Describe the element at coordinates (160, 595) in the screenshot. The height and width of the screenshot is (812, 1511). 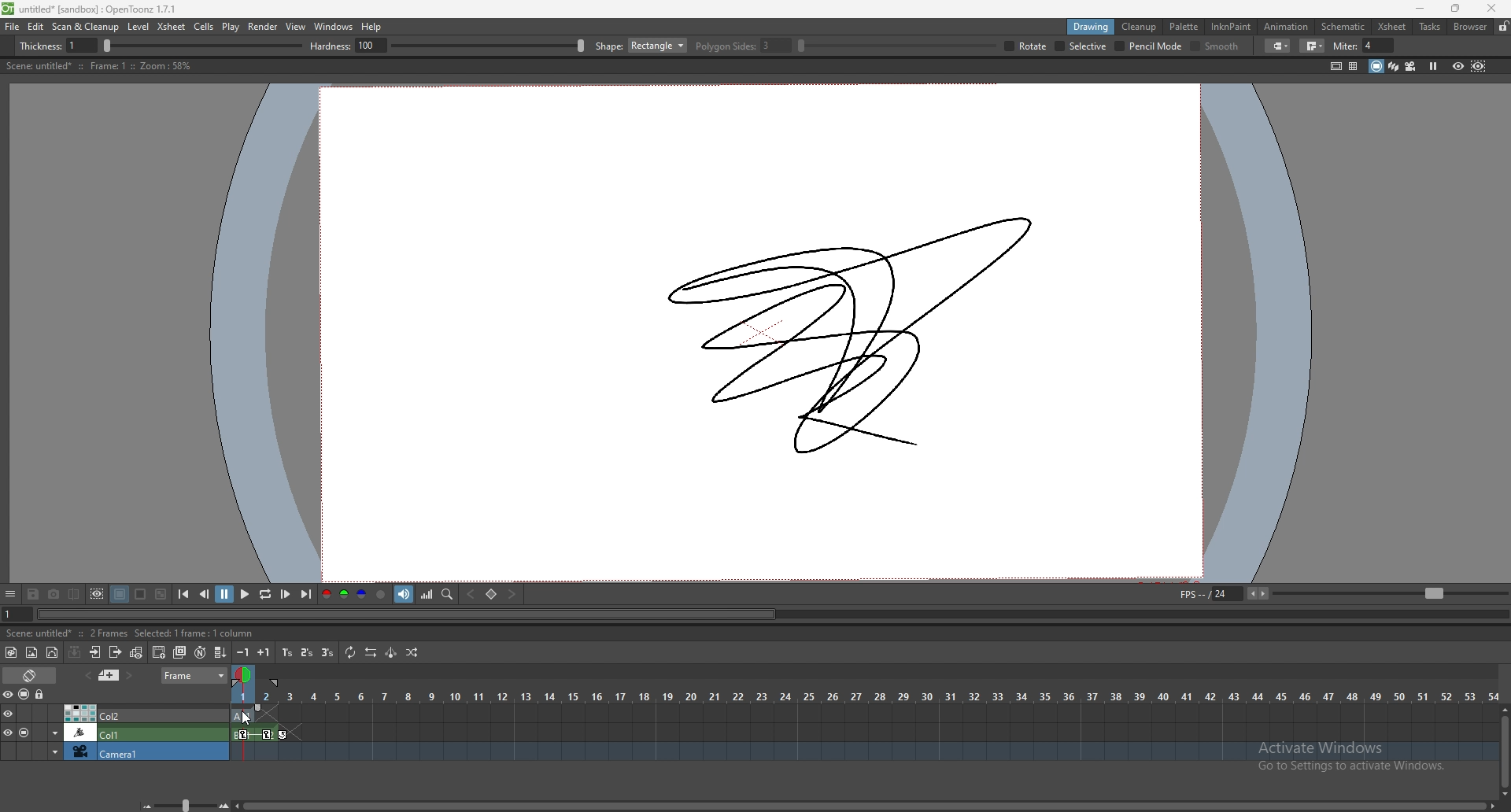
I see `checkered background` at that location.